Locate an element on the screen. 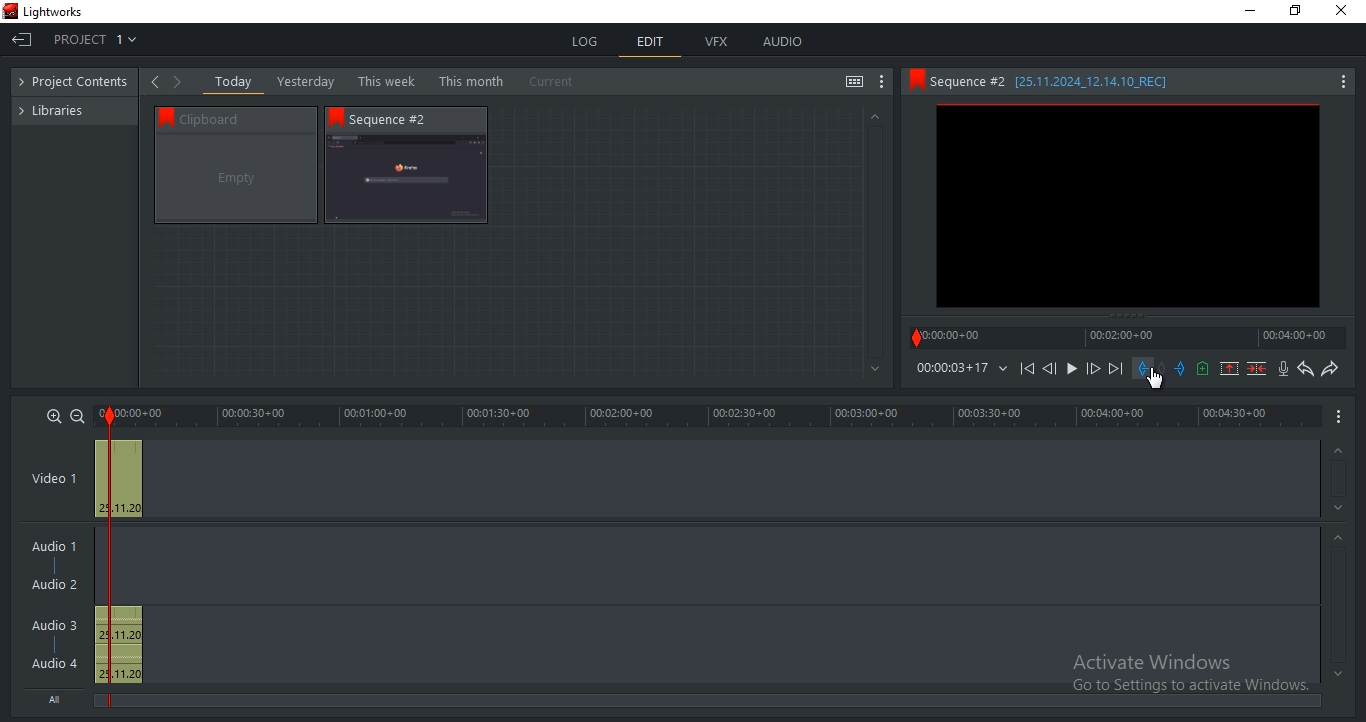 Image resolution: width=1366 pixels, height=722 pixels. restore is located at coordinates (1295, 12).